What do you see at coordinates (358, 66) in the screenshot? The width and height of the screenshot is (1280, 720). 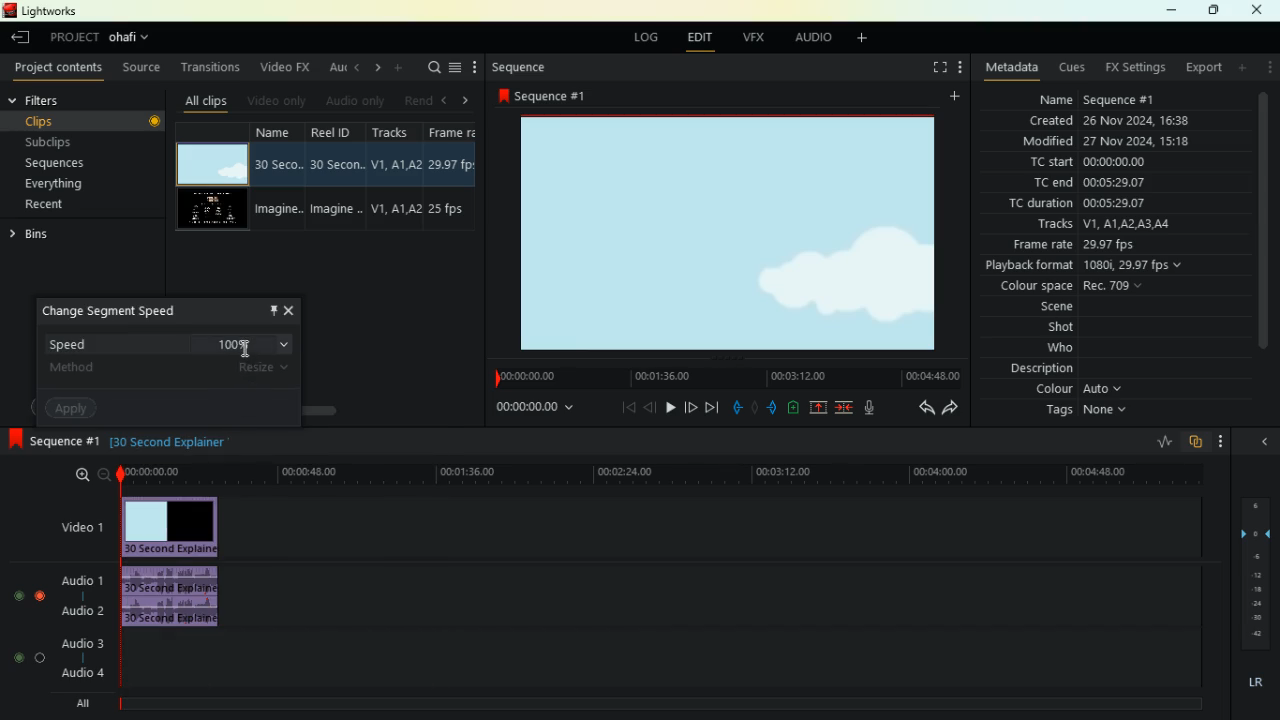 I see `left` at bounding box center [358, 66].